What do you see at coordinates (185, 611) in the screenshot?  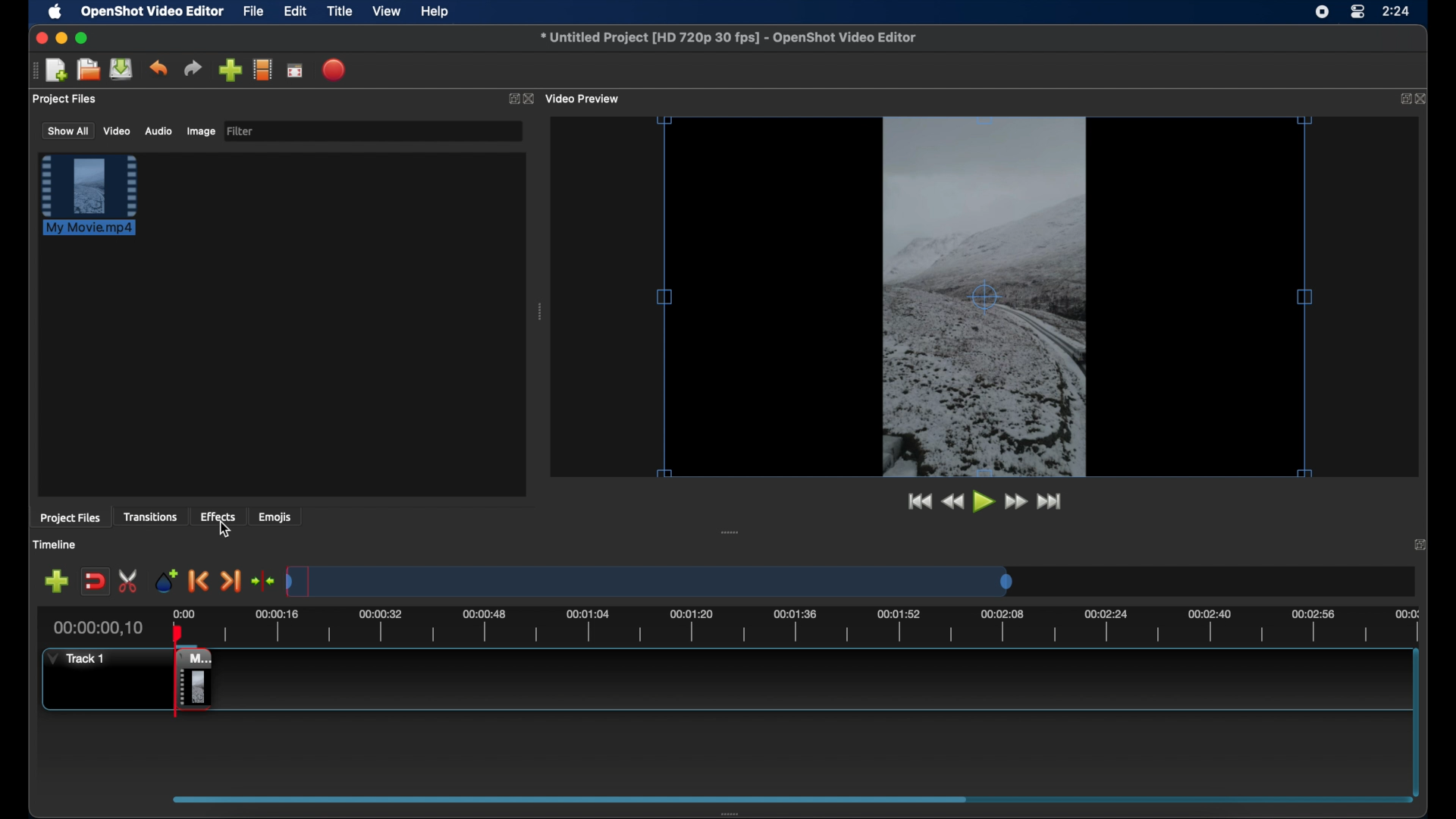 I see `0.00` at bounding box center [185, 611].